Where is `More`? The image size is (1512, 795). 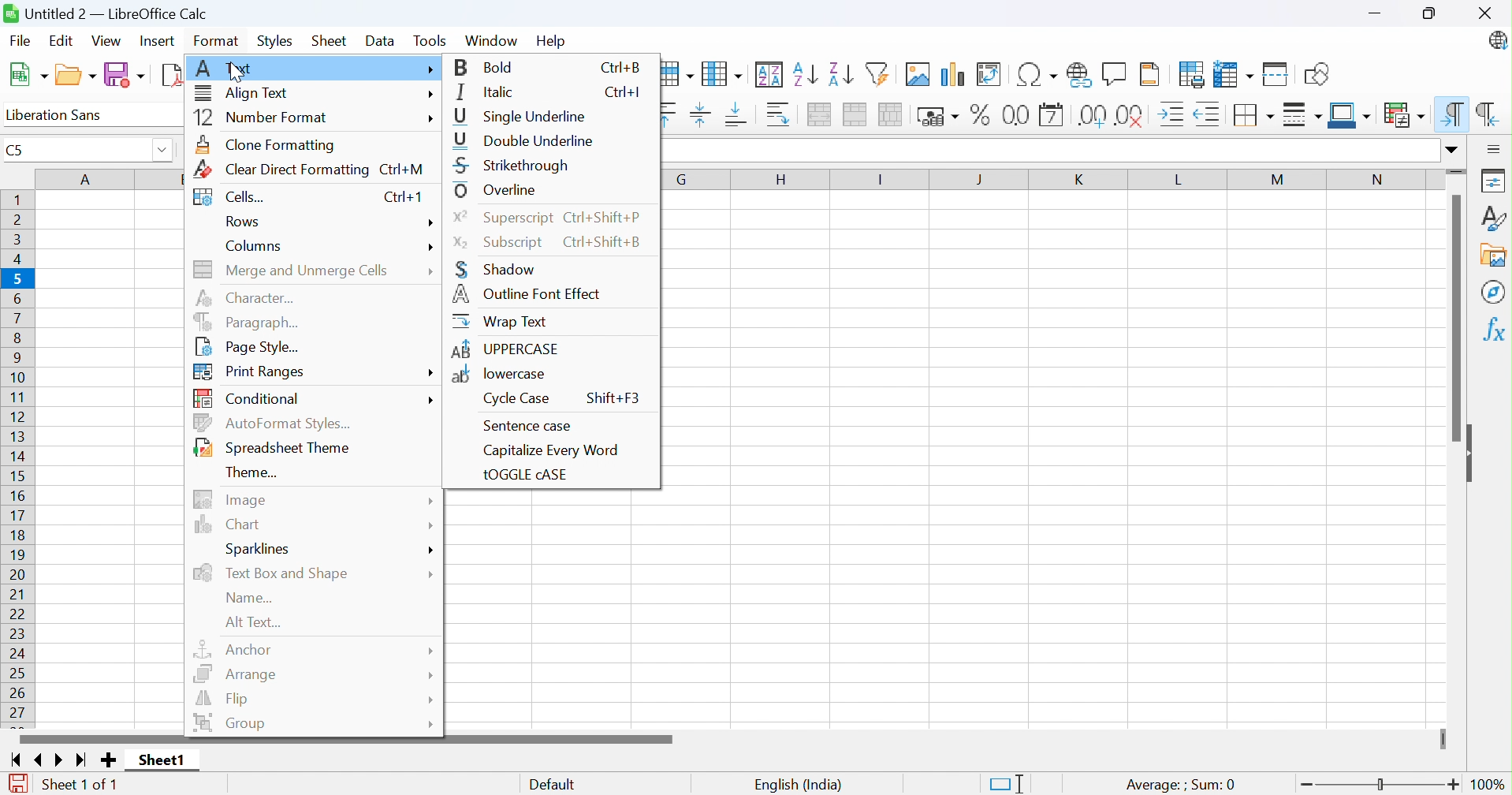
More is located at coordinates (432, 222).